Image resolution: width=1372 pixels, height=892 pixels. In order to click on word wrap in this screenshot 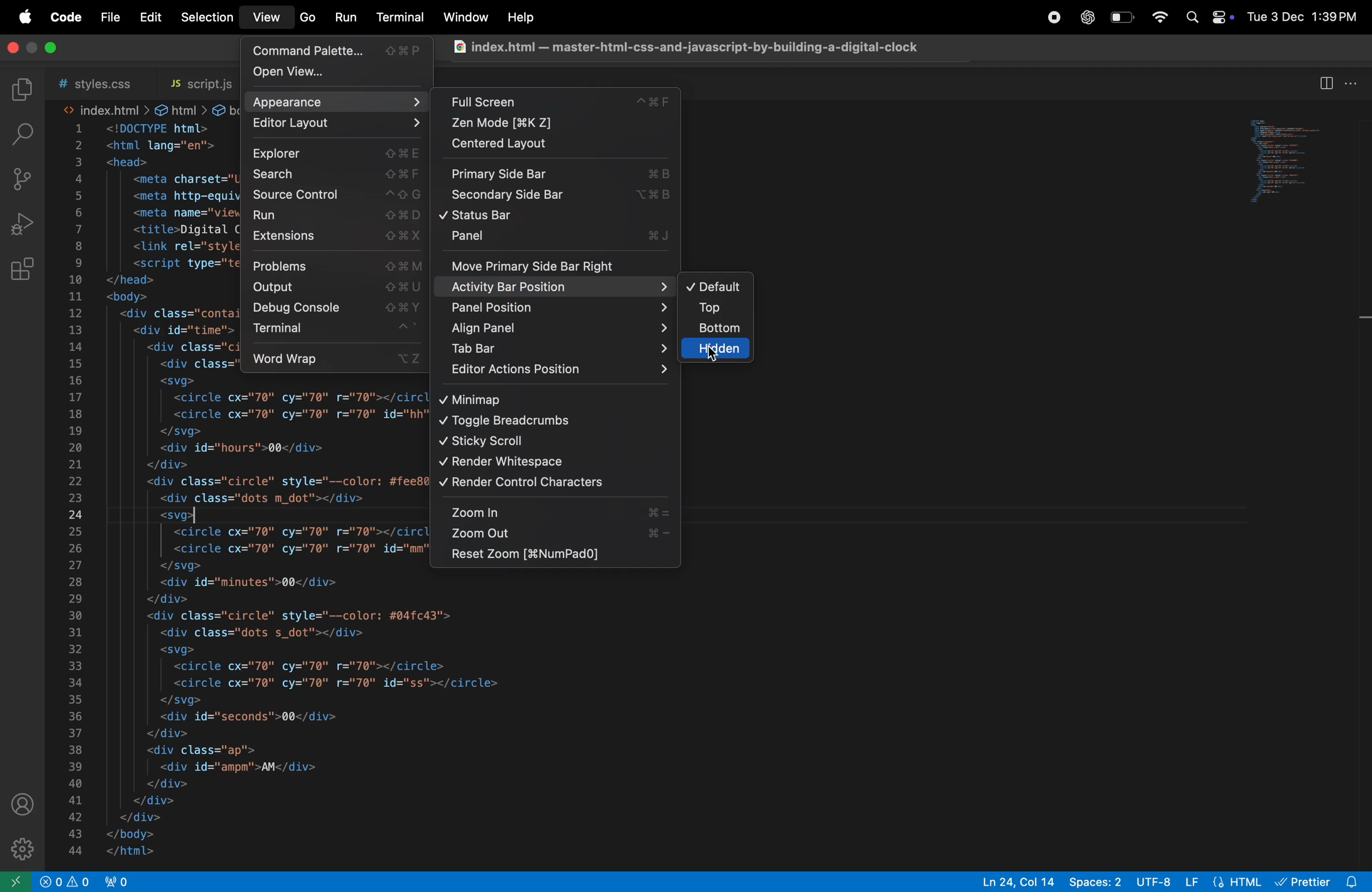, I will do `click(335, 358)`.